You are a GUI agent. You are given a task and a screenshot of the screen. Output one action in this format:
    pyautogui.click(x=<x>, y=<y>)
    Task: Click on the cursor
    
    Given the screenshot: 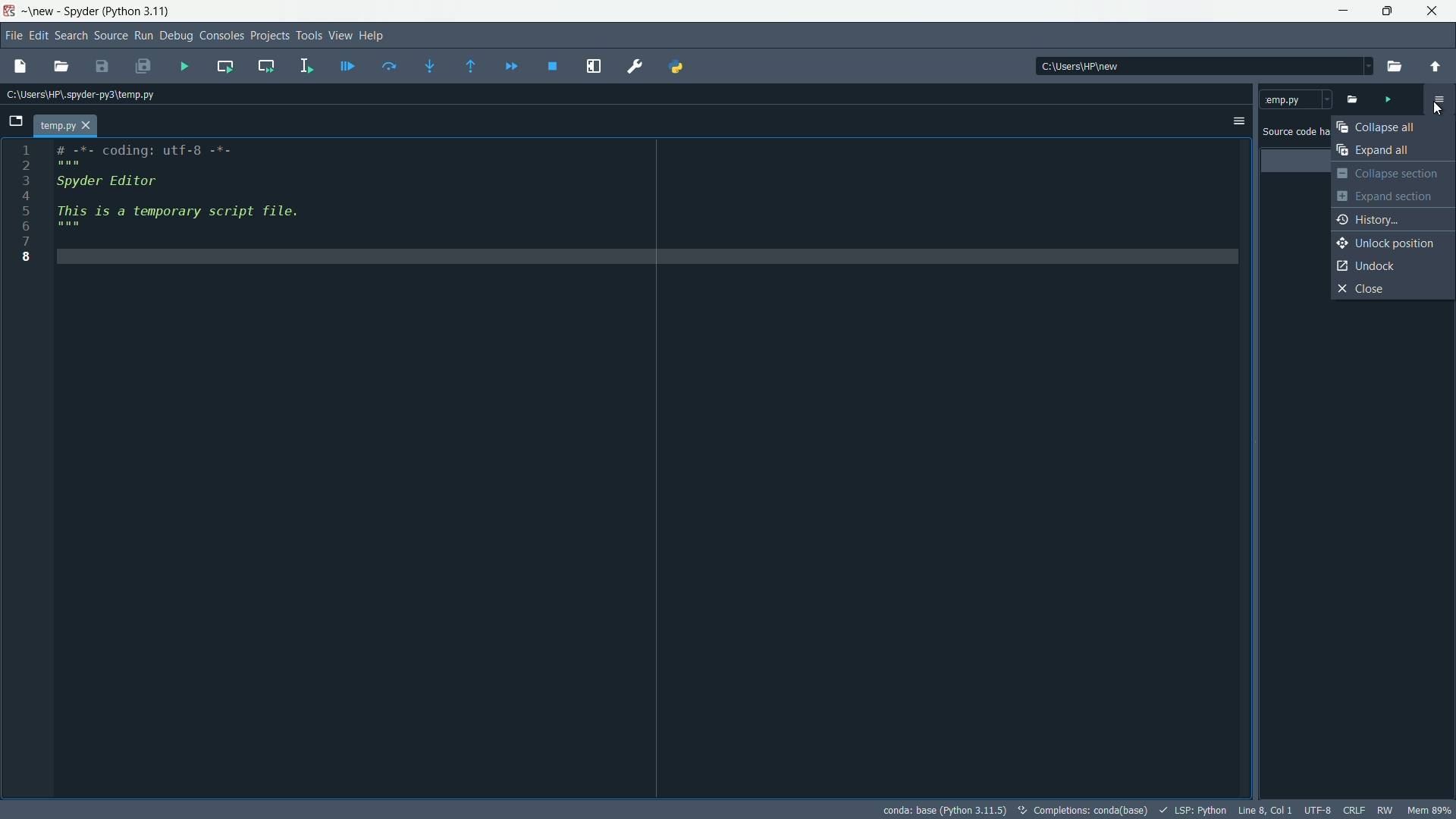 What is the action you would take?
    pyautogui.click(x=1442, y=107)
    